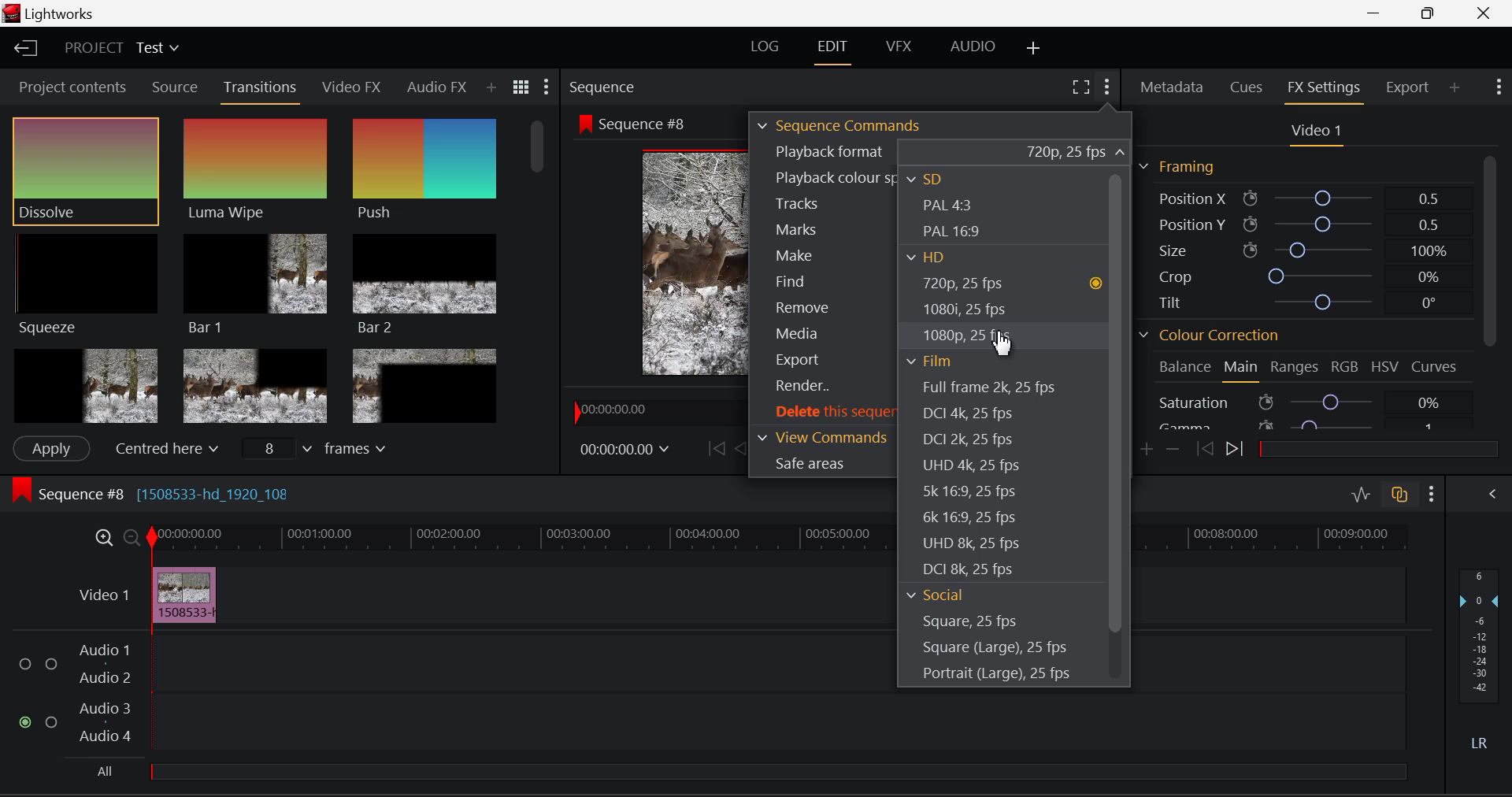 This screenshot has height=797, width=1512. I want to click on Back to Homepage, so click(30, 50).